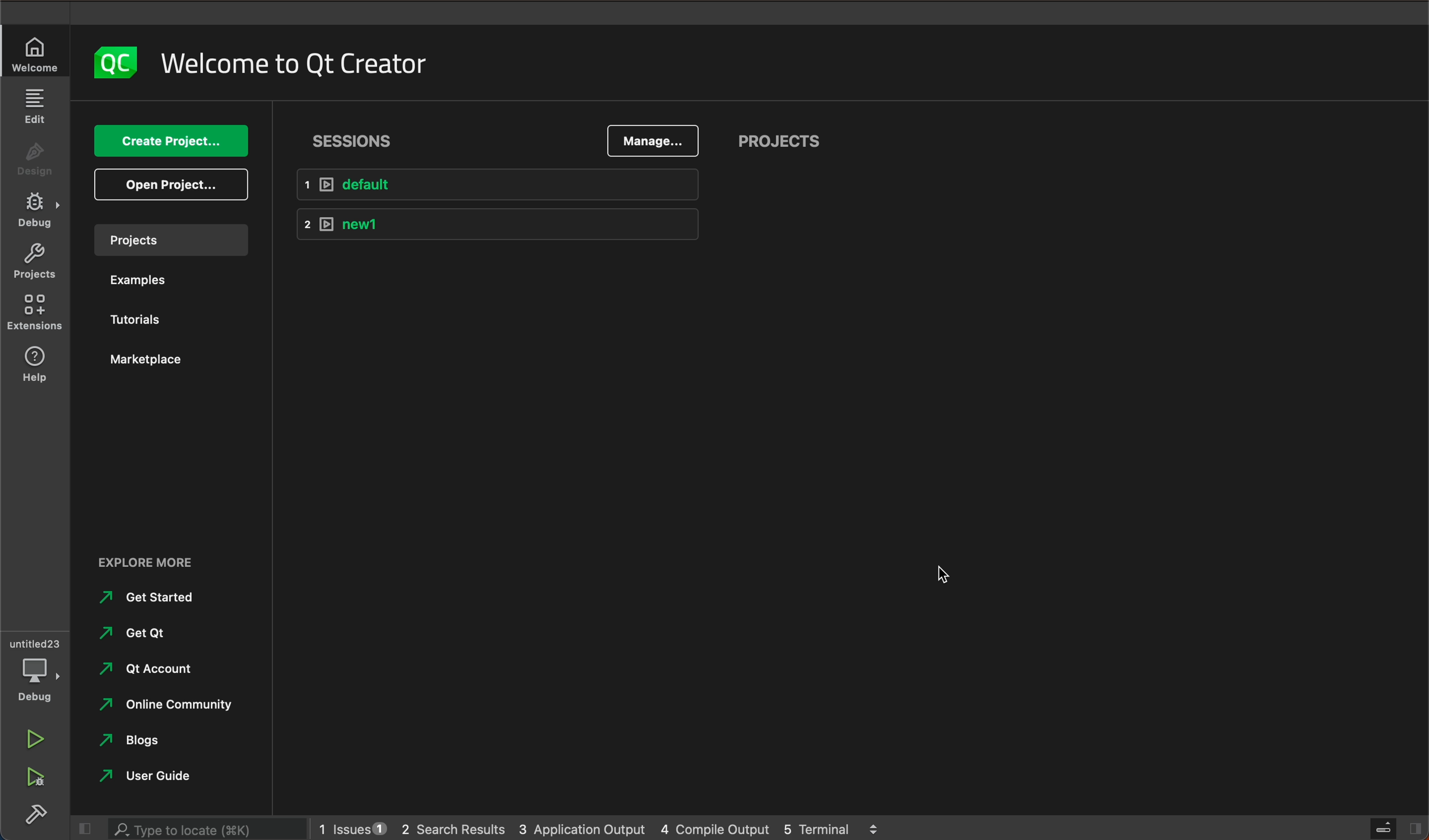 The image size is (1429, 840). Describe the element at coordinates (38, 211) in the screenshot. I see `debug` at that location.